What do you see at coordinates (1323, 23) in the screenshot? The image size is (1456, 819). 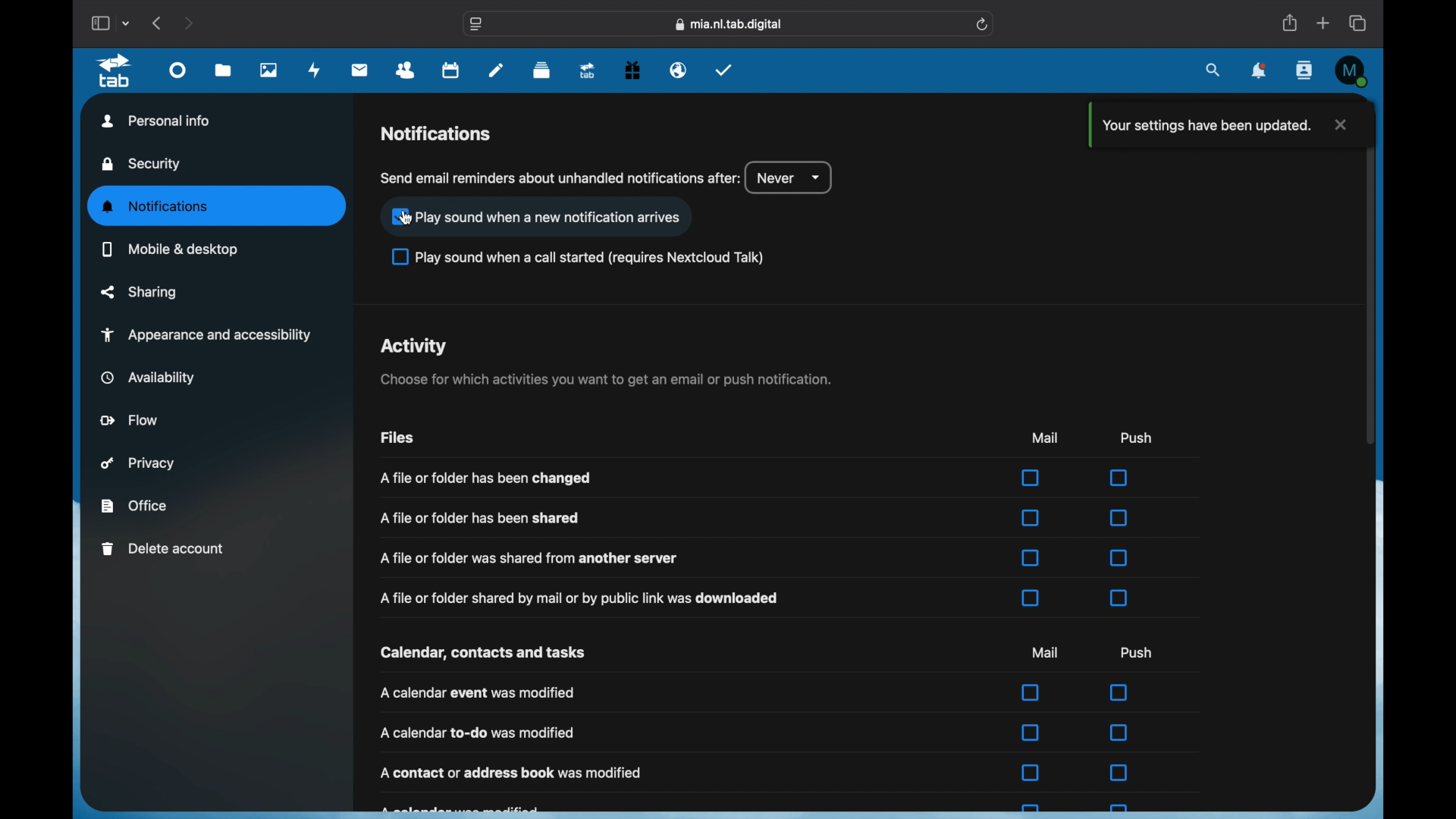 I see `new tab` at bounding box center [1323, 23].